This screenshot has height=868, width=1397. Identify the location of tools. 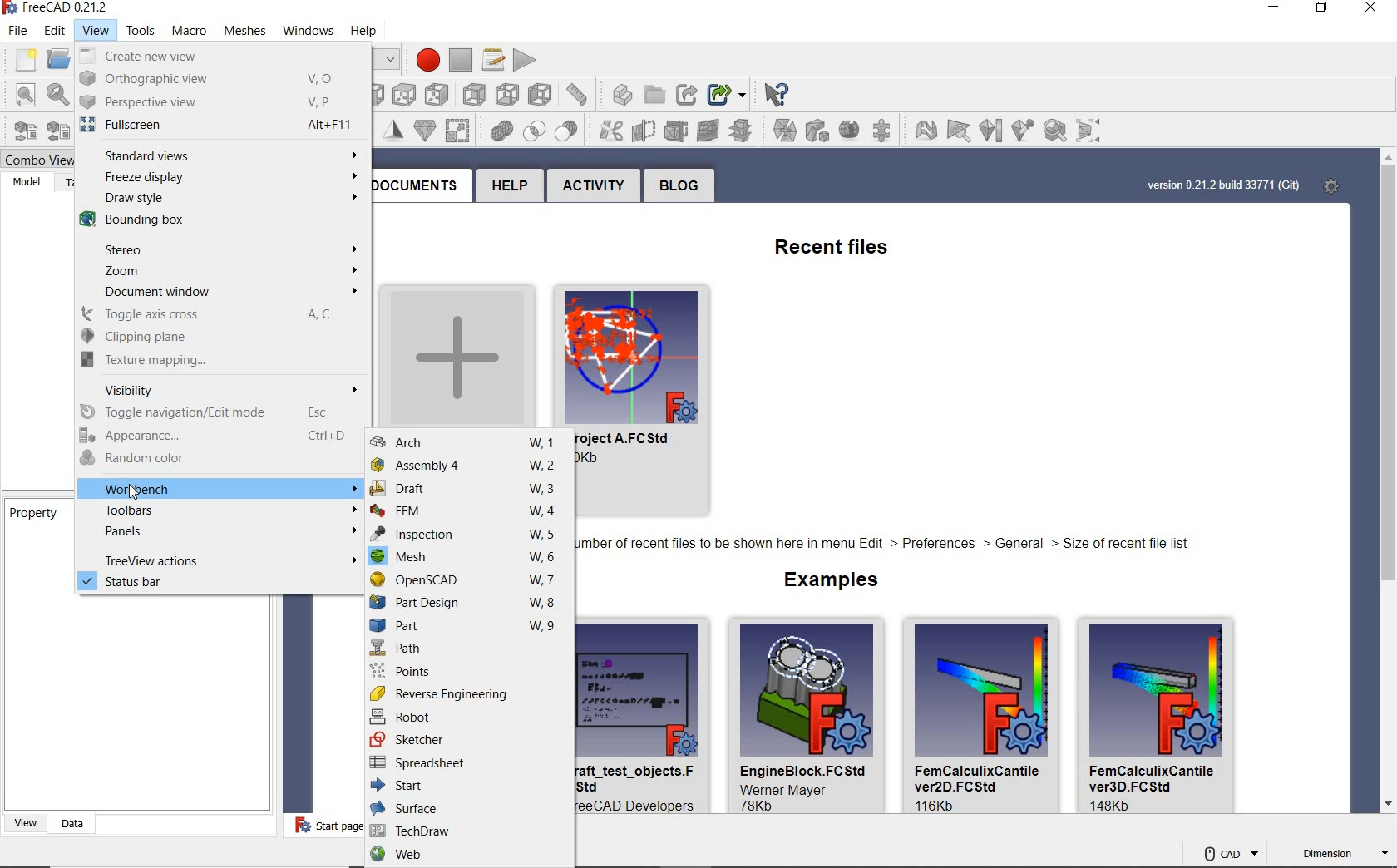
(141, 28).